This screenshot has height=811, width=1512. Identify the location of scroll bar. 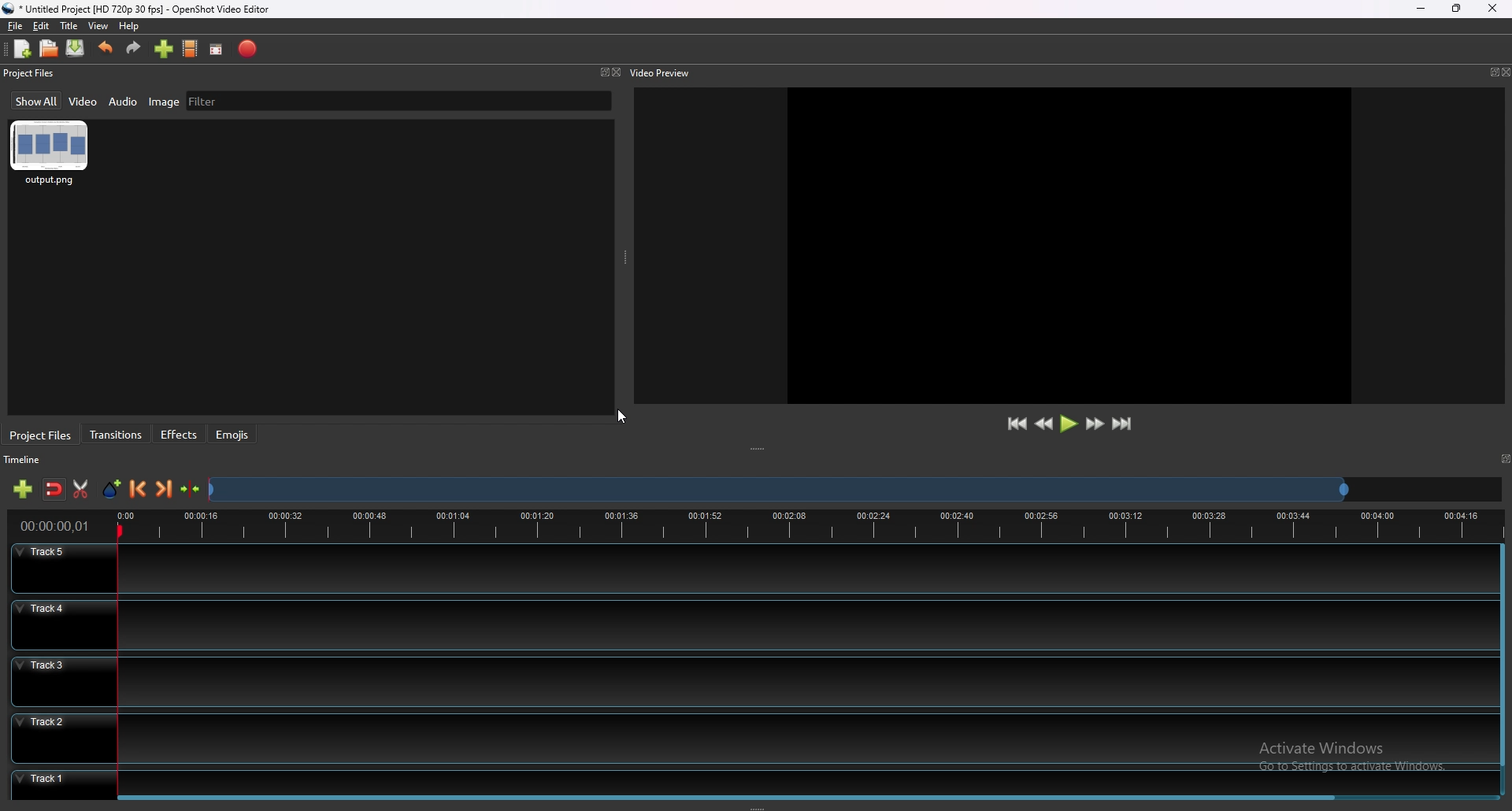
(1500, 656).